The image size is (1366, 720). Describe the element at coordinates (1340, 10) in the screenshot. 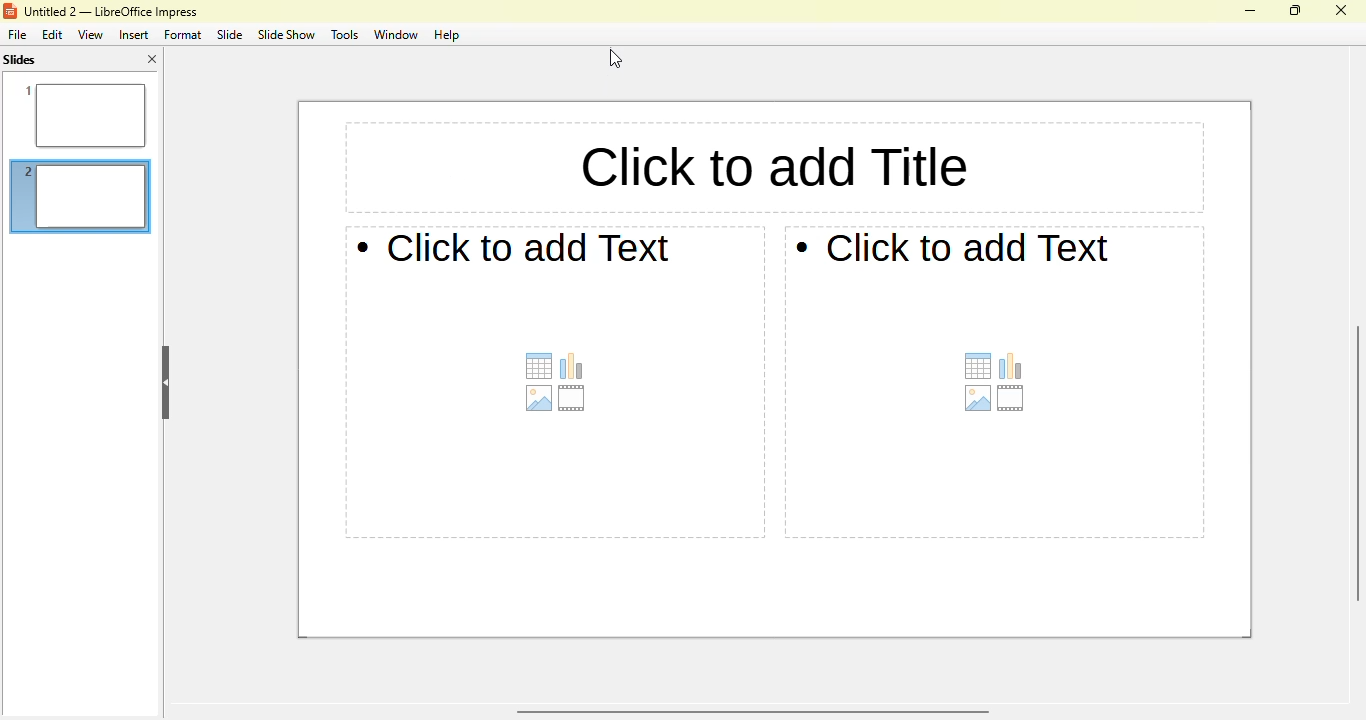

I see `close` at that location.